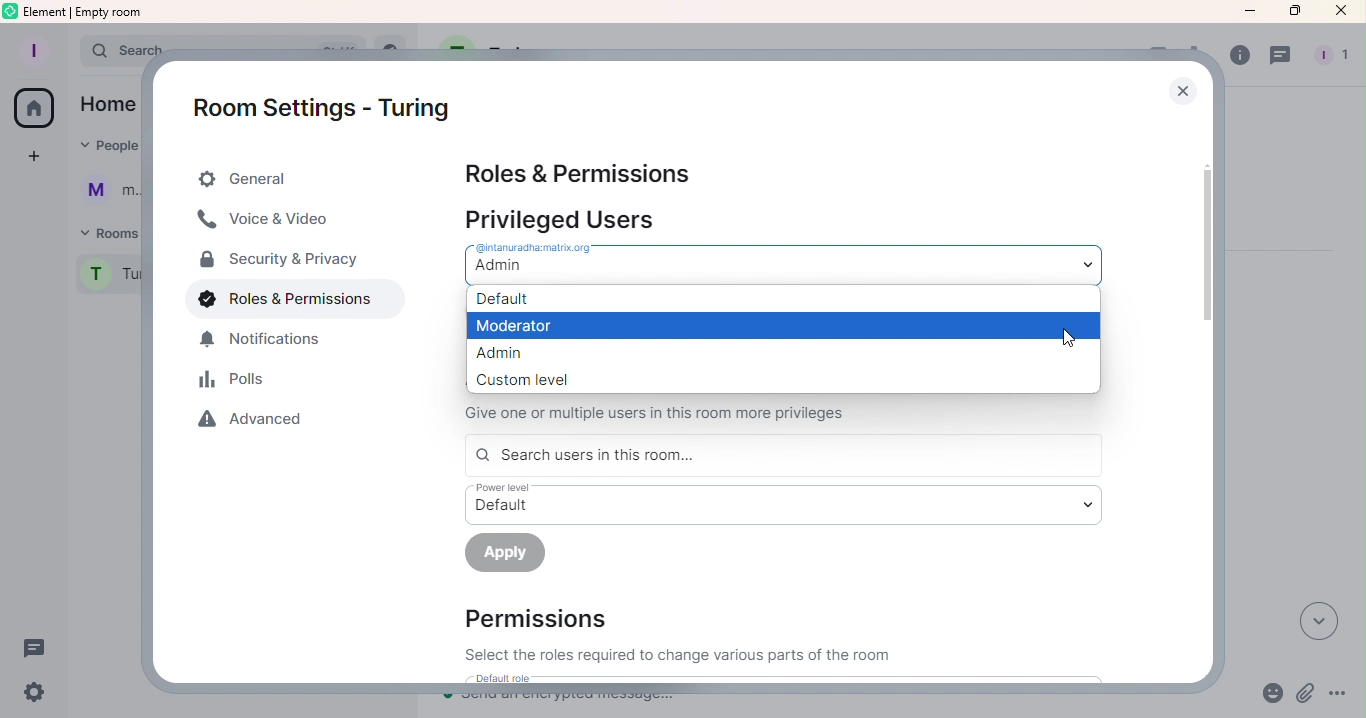  Describe the element at coordinates (1315, 621) in the screenshot. I see `Scroll to most recent messages` at that location.